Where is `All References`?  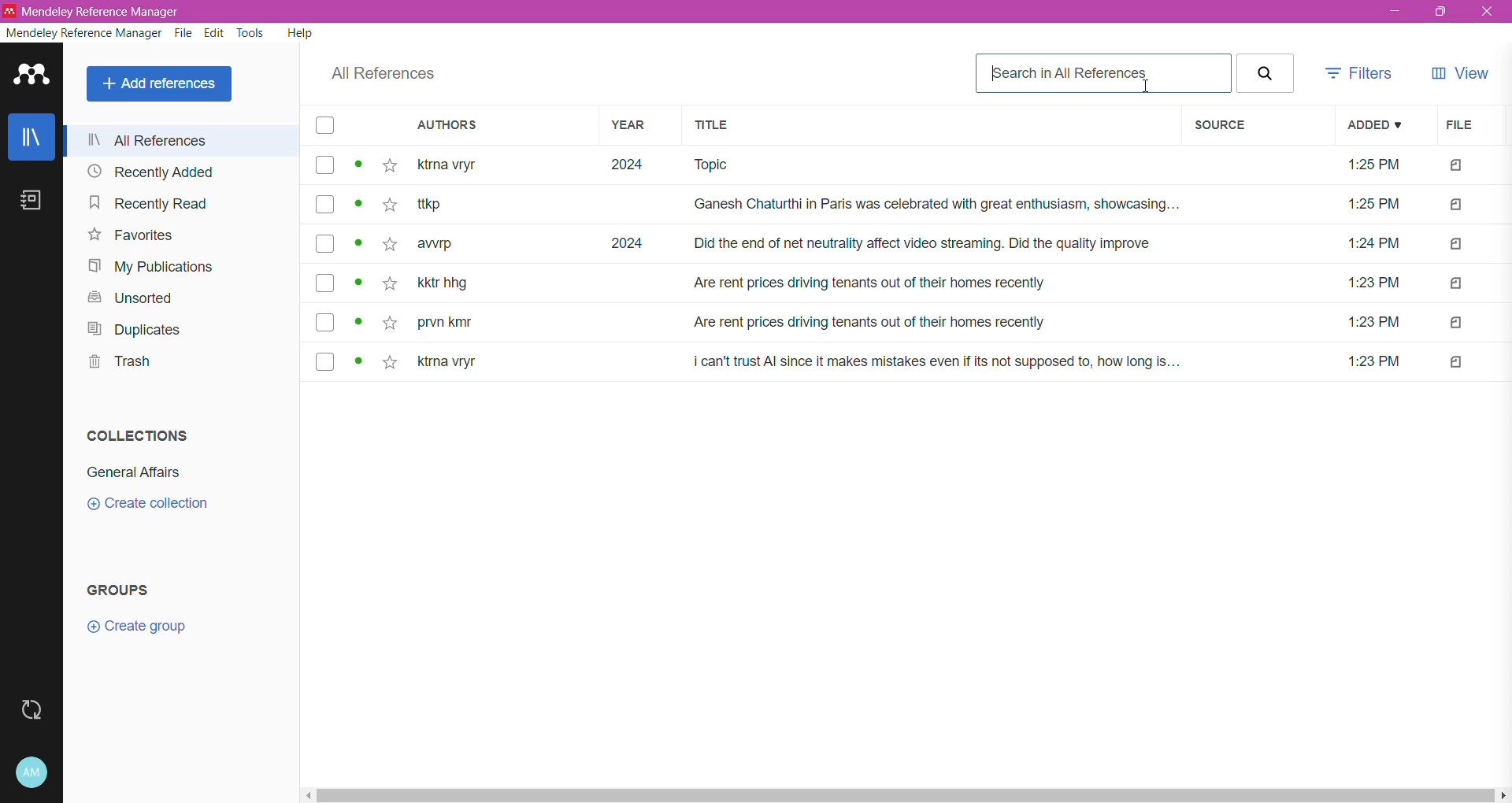 All References is located at coordinates (177, 140).